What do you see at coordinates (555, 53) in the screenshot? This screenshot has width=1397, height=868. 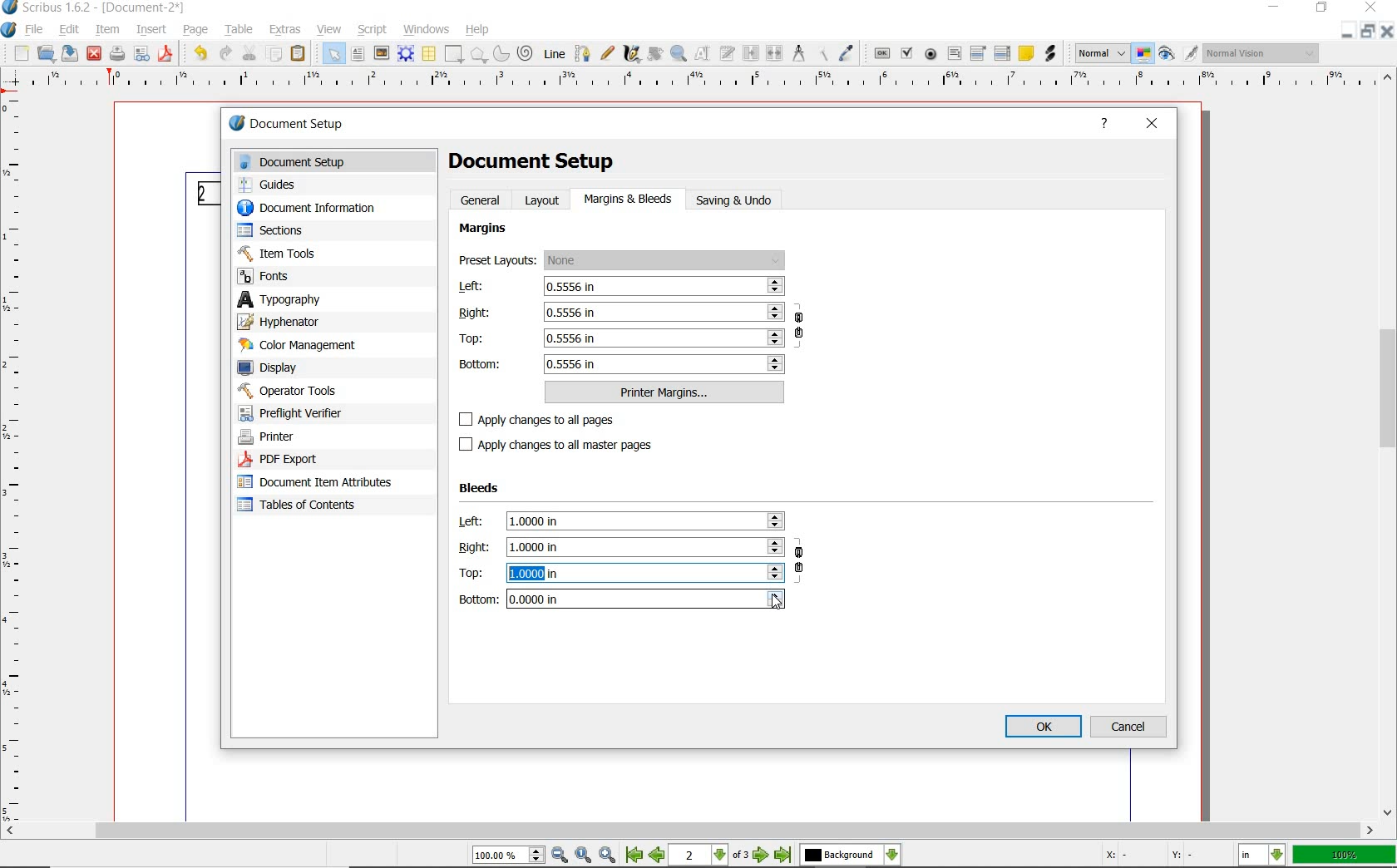 I see `line` at bounding box center [555, 53].